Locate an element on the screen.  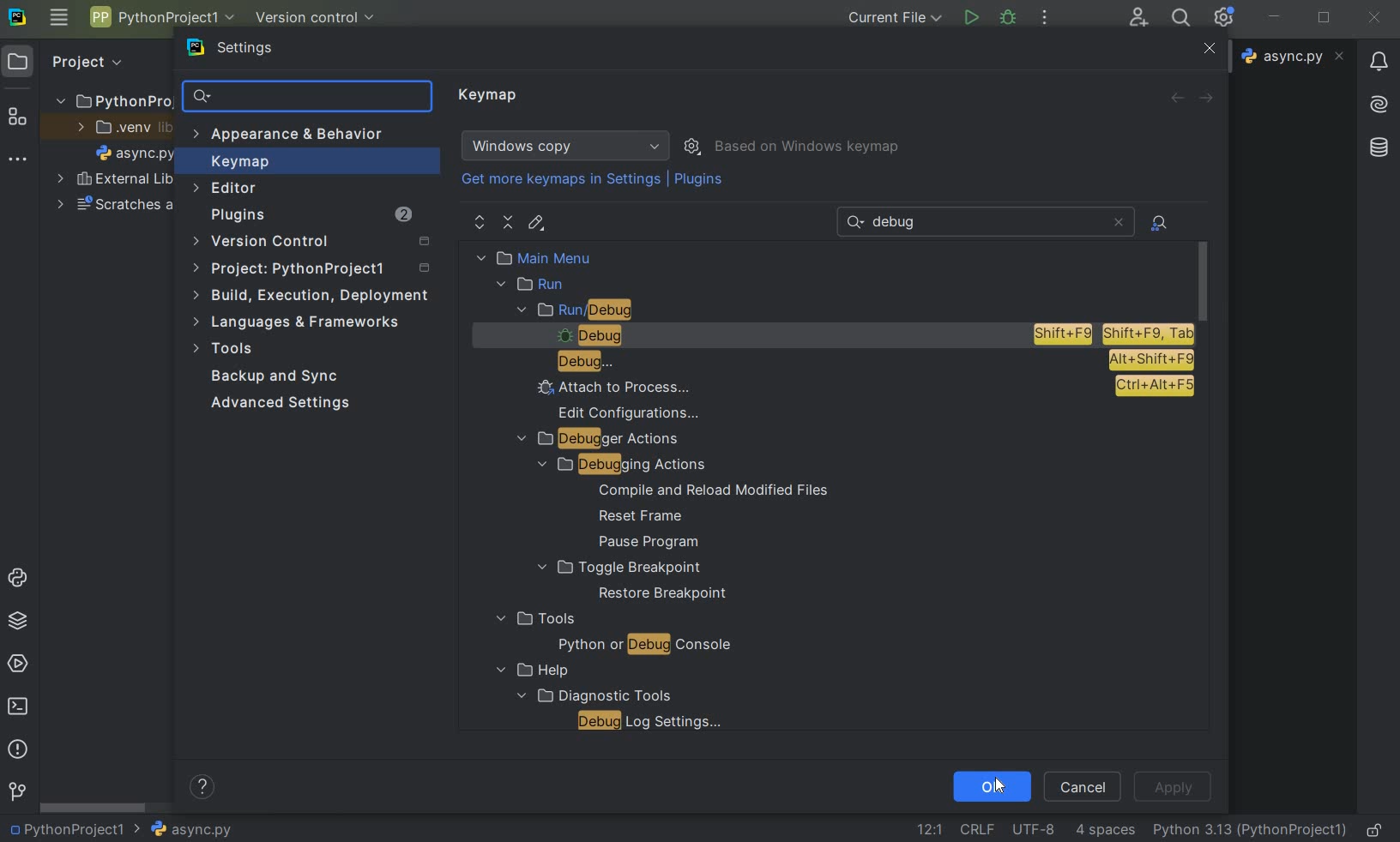
run/debug is located at coordinates (609, 311).